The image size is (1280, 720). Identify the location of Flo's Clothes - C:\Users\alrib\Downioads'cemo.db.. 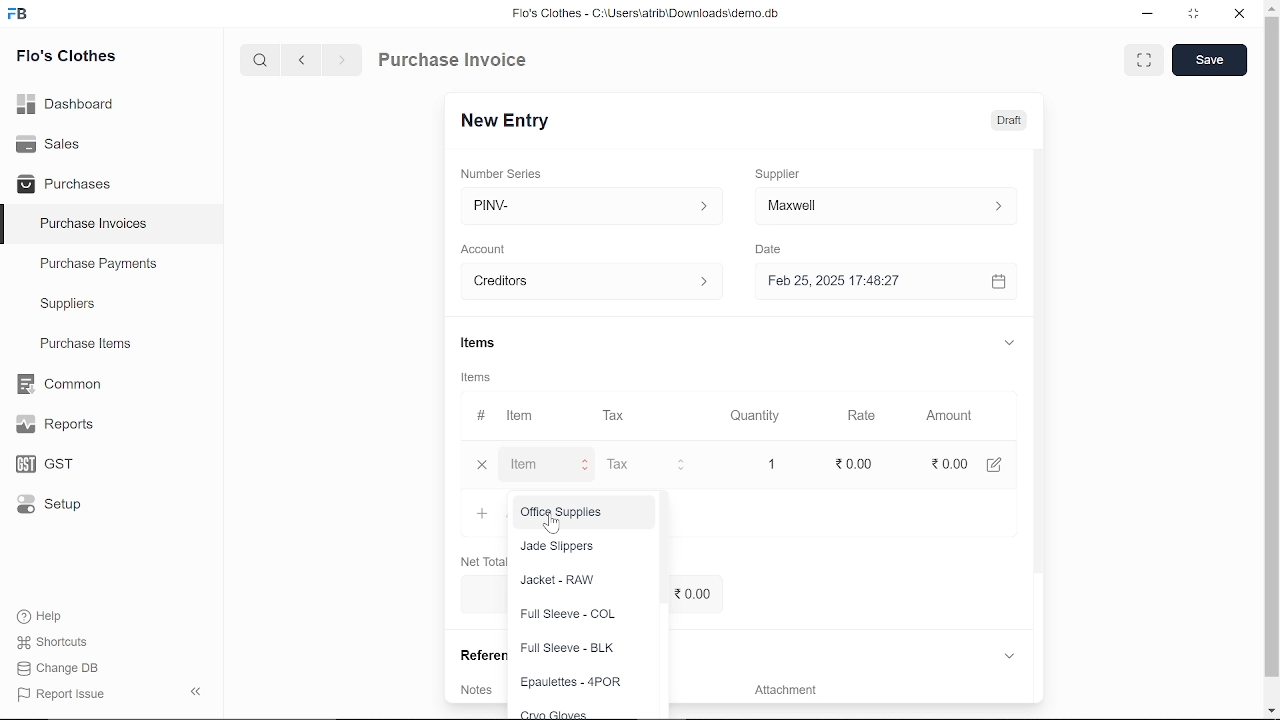
(653, 17).